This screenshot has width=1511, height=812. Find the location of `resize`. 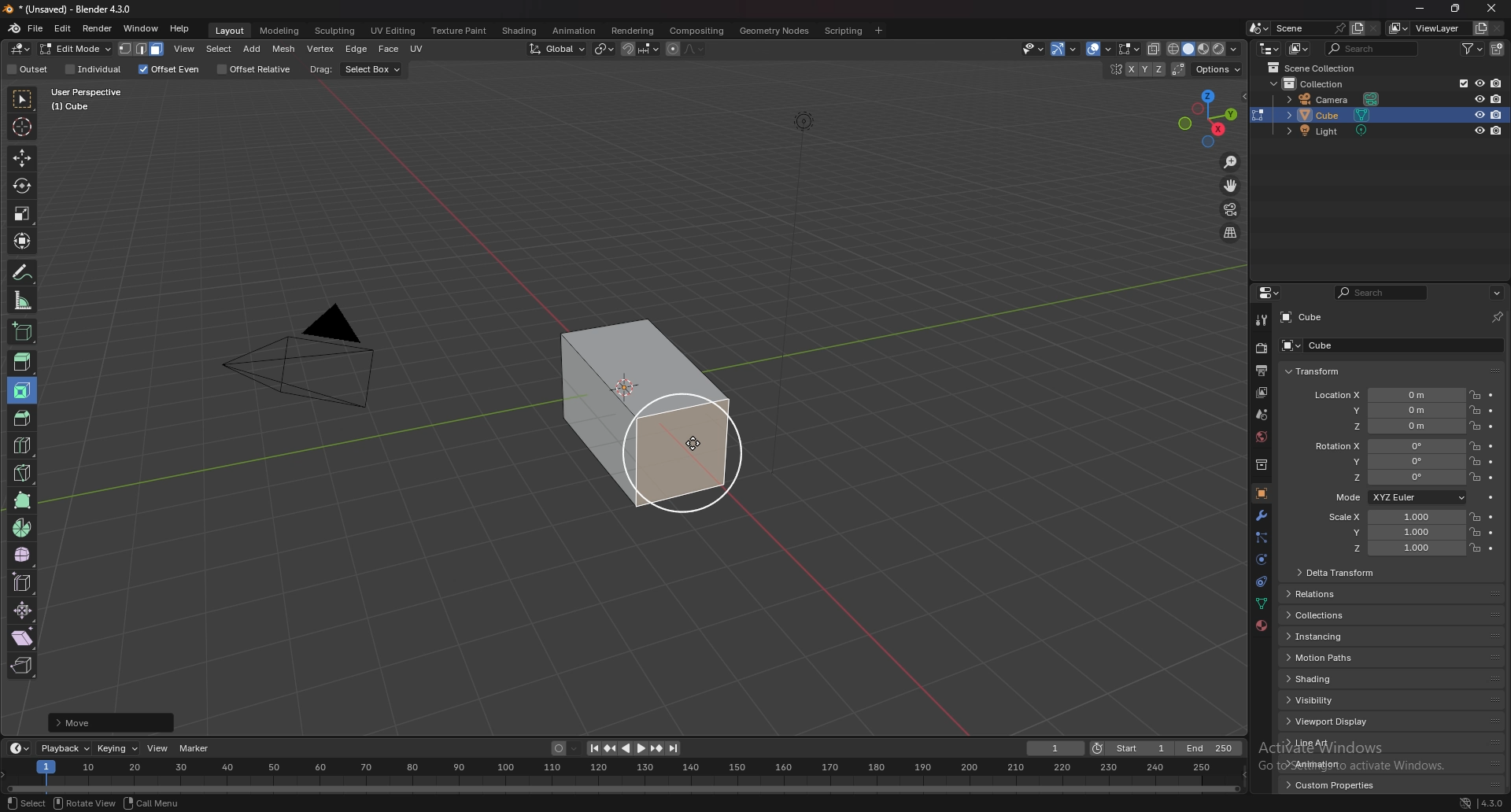

resize is located at coordinates (1454, 9).